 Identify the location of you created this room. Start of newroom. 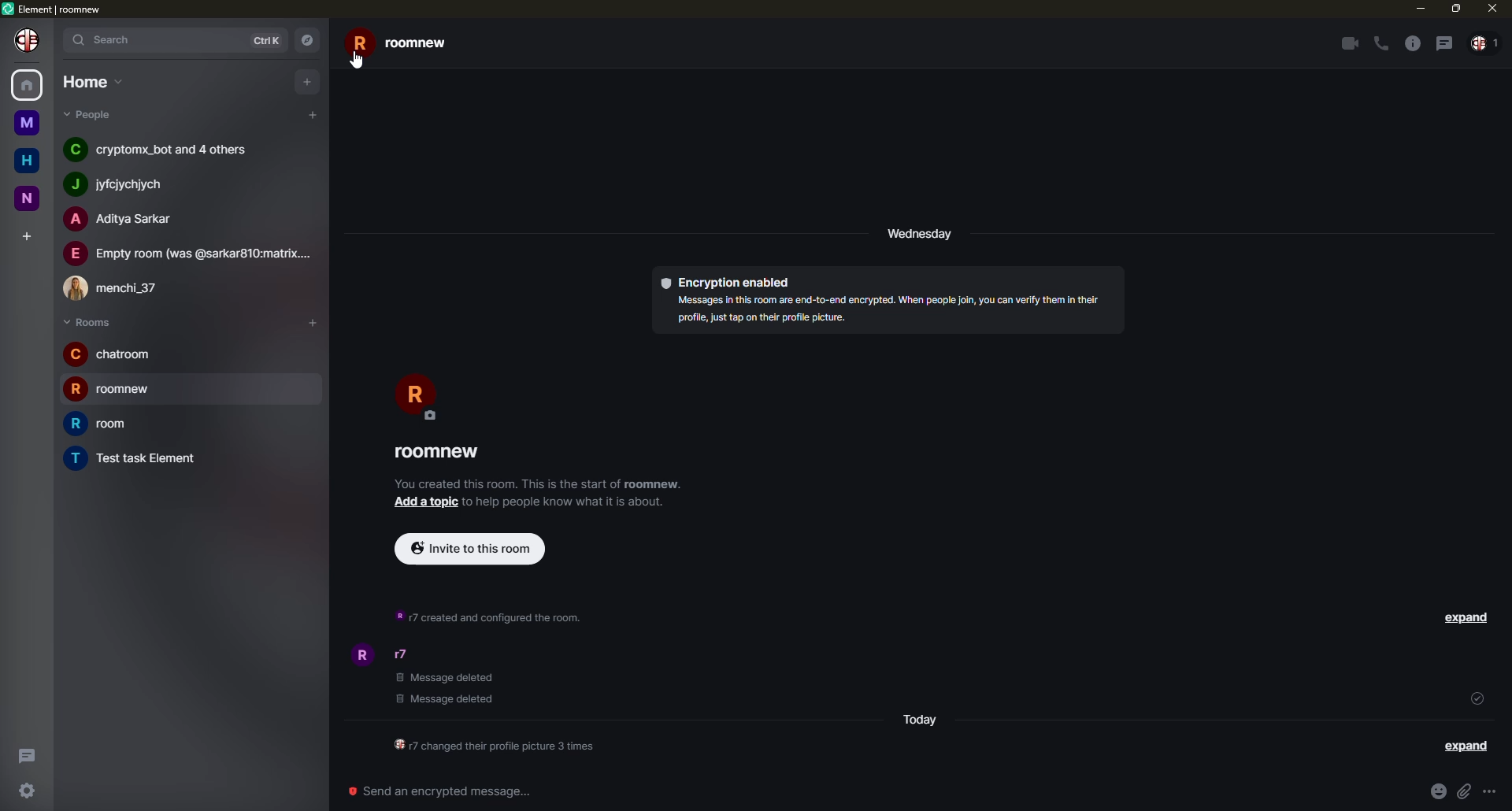
(539, 483).